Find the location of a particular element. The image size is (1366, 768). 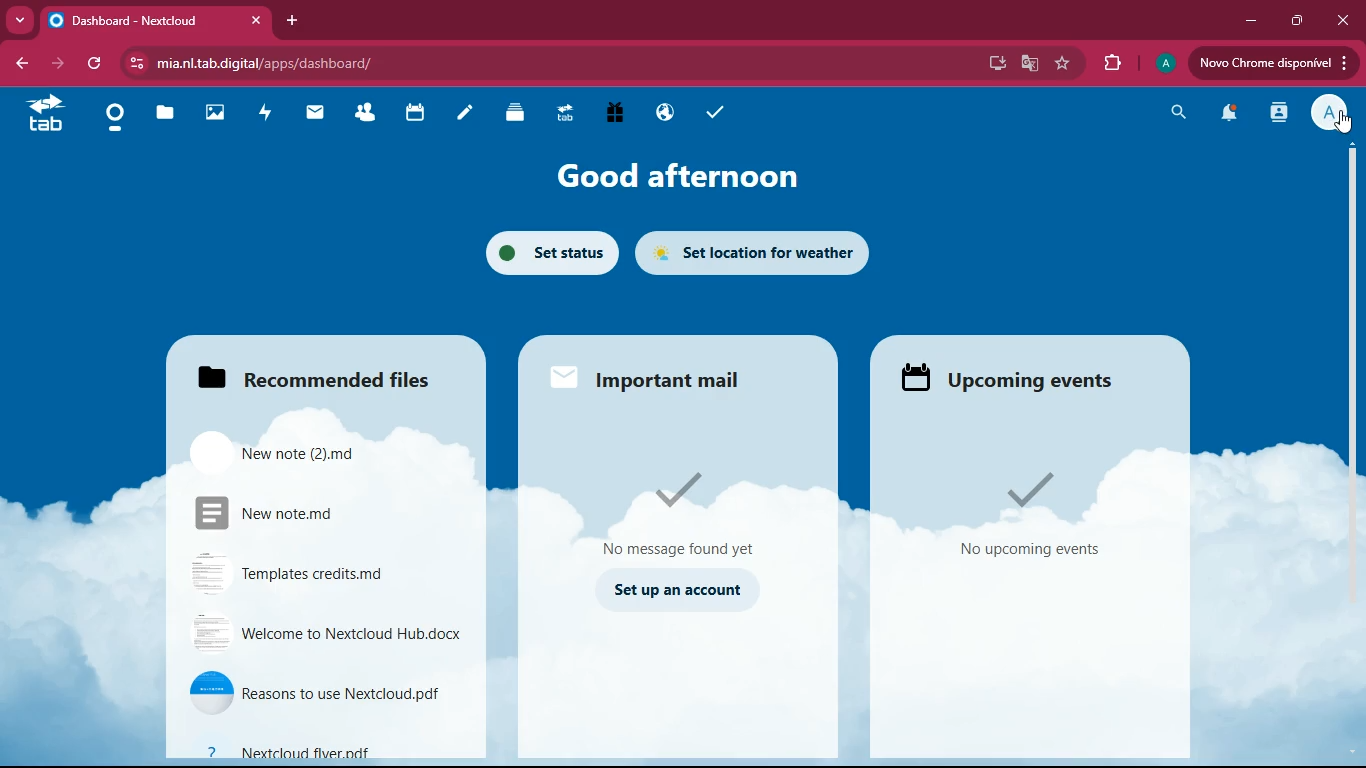

file is located at coordinates (318, 572).